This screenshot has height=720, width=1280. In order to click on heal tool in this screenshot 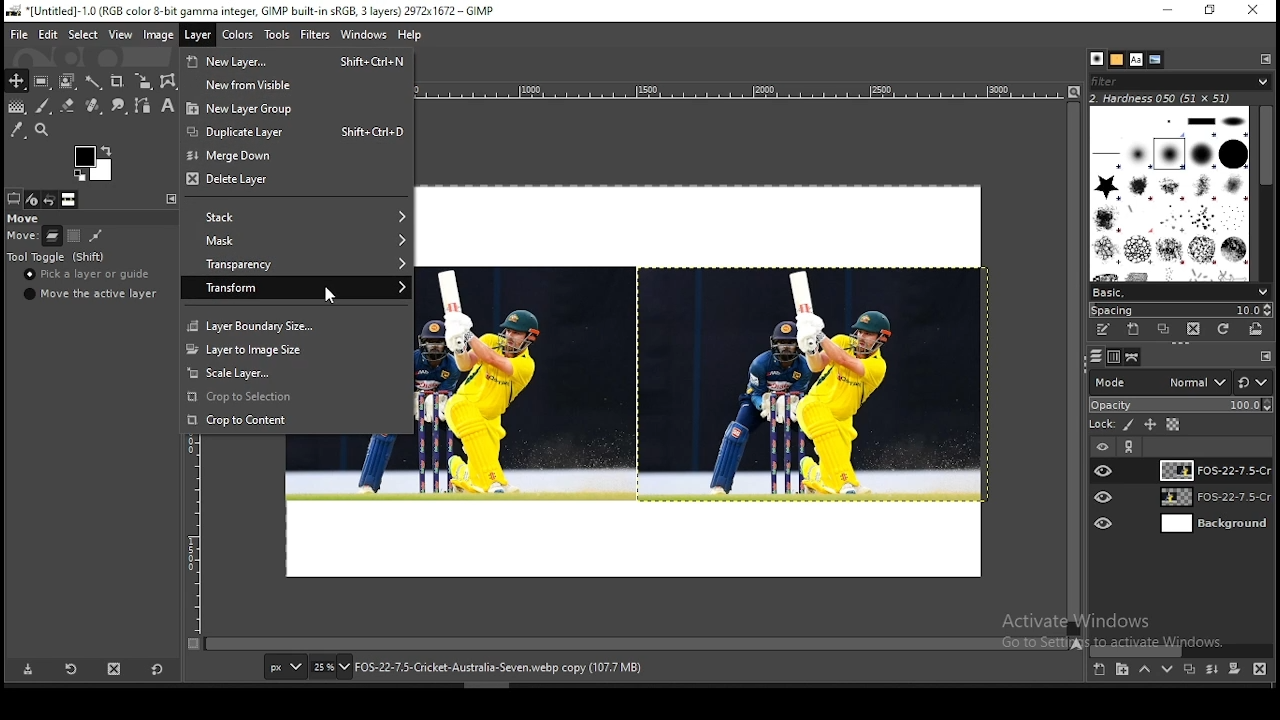, I will do `click(91, 107)`.